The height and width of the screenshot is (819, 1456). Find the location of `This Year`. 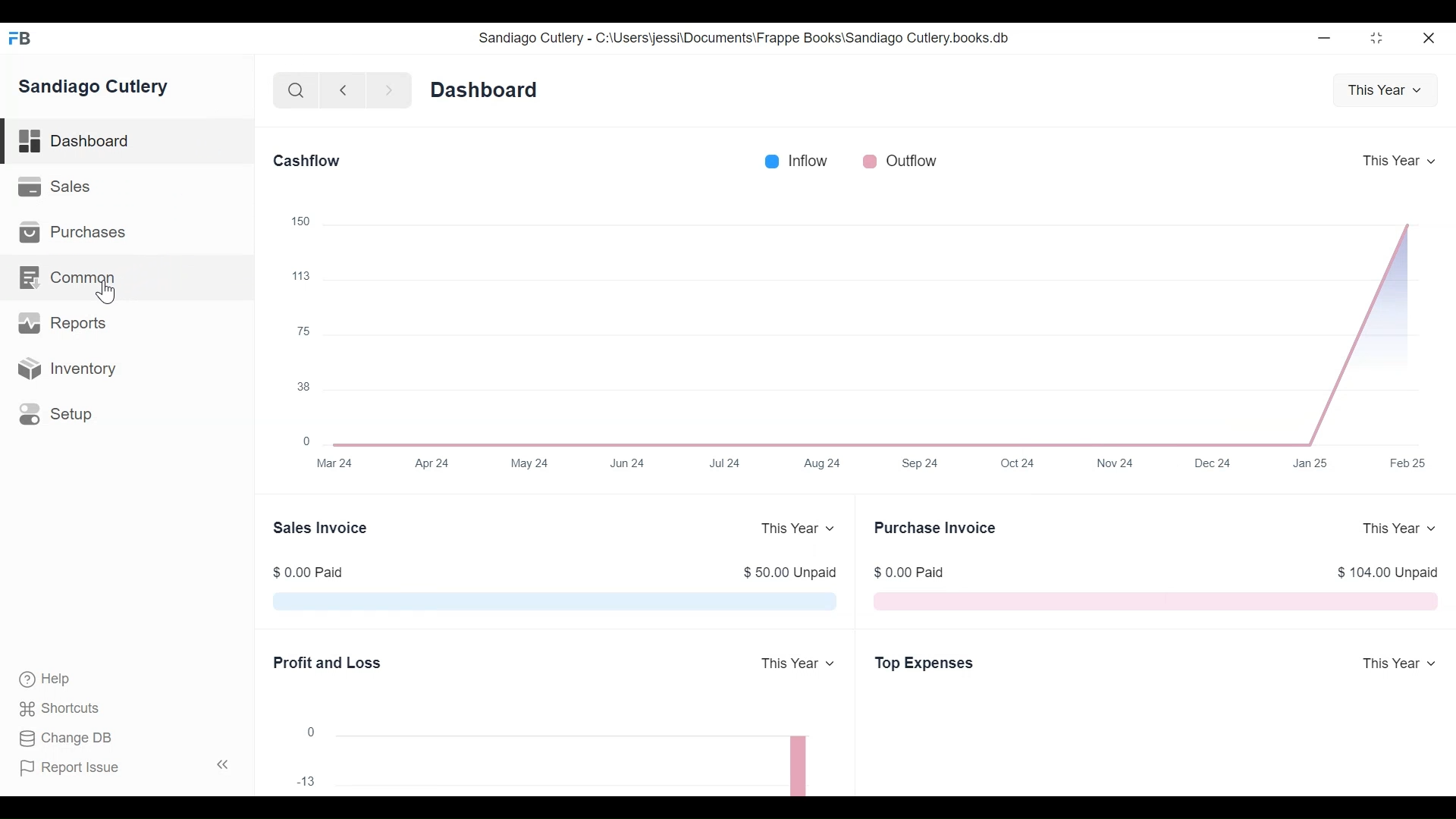

This Year is located at coordinates (1400, 664).